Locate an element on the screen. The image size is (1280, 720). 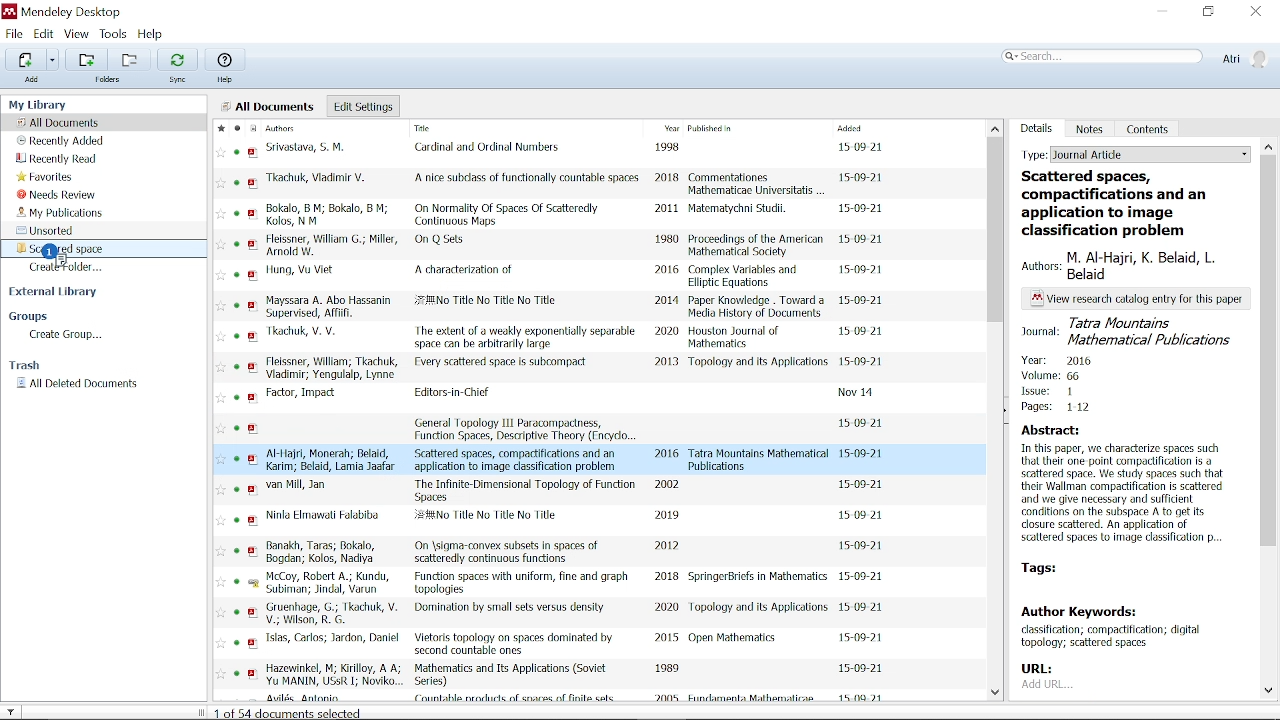
title is located at coordinates (454, 394).